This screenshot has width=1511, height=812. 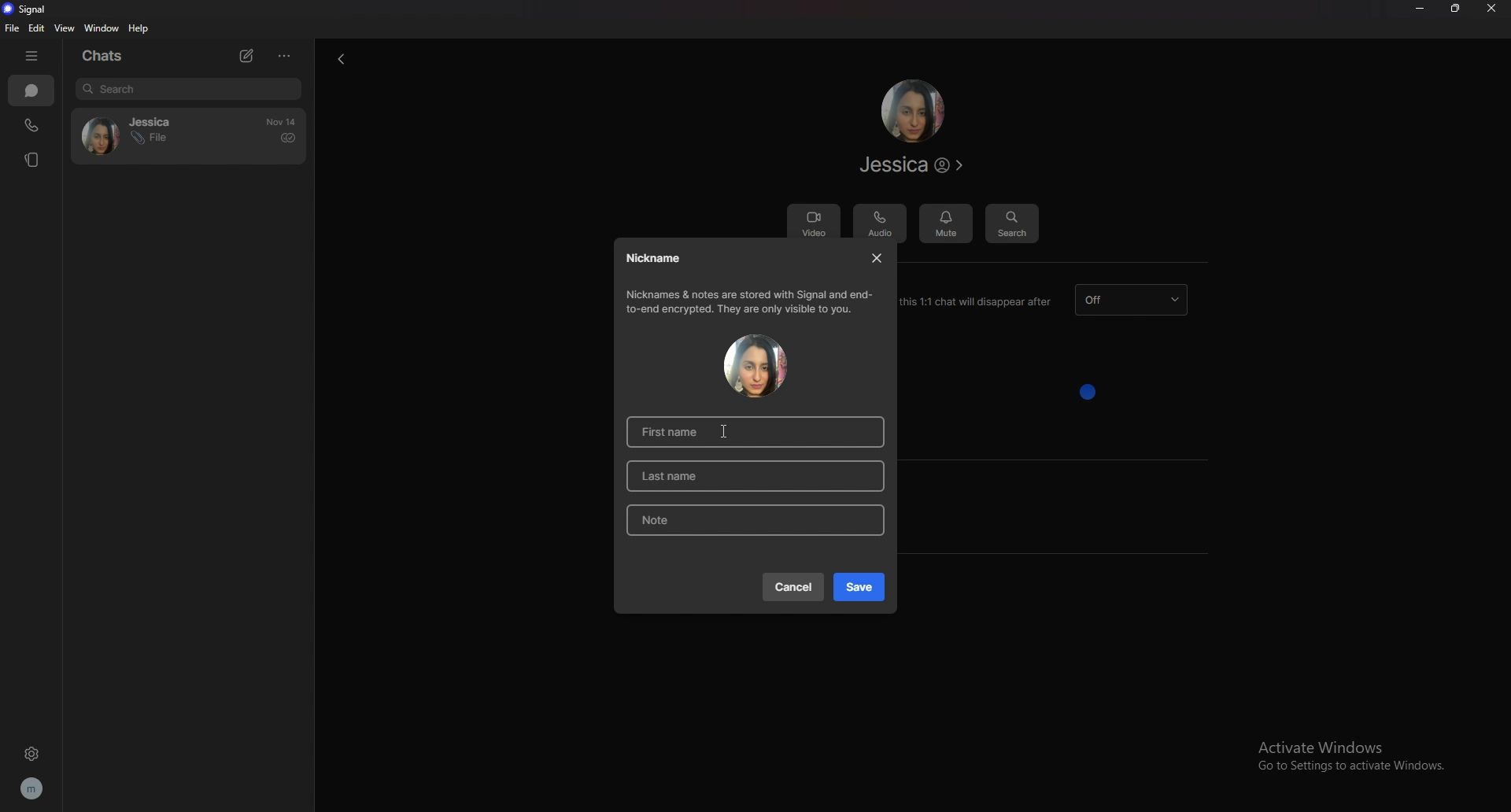 I want to click on mute, so click(x=946, y=223).